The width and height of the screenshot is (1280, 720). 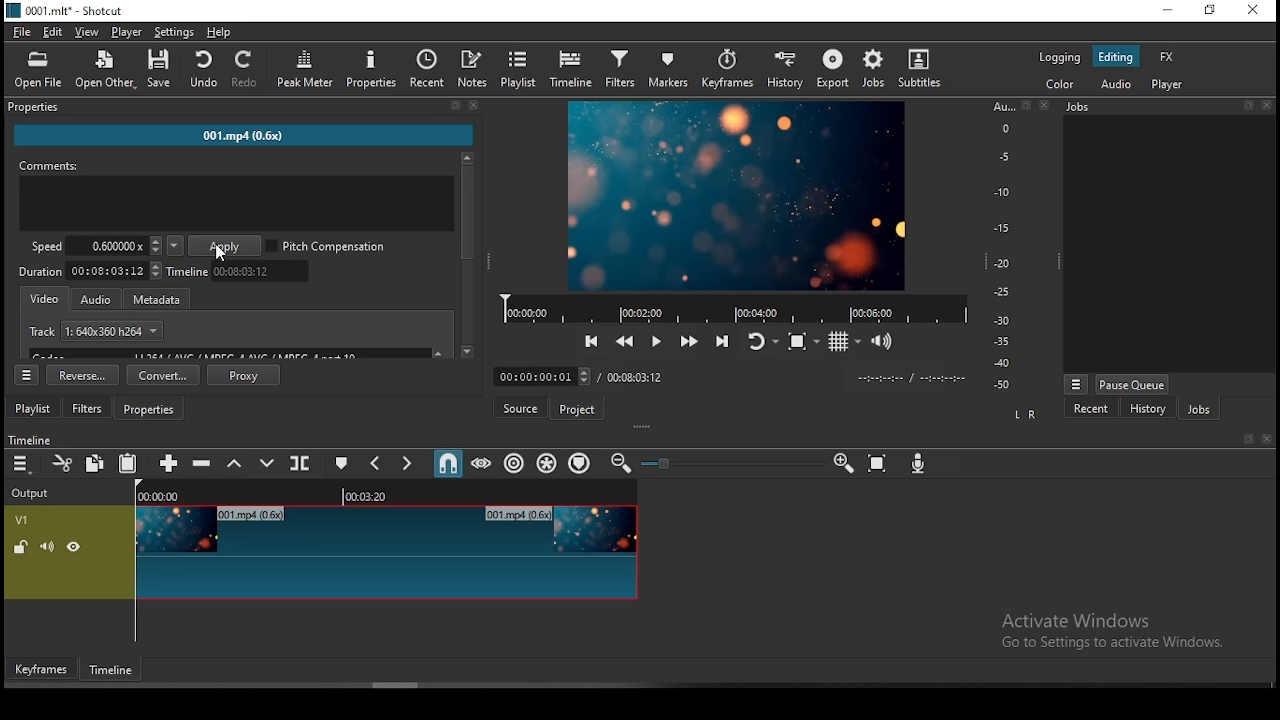 I want to click on editing, so click(x=1115, y=58).